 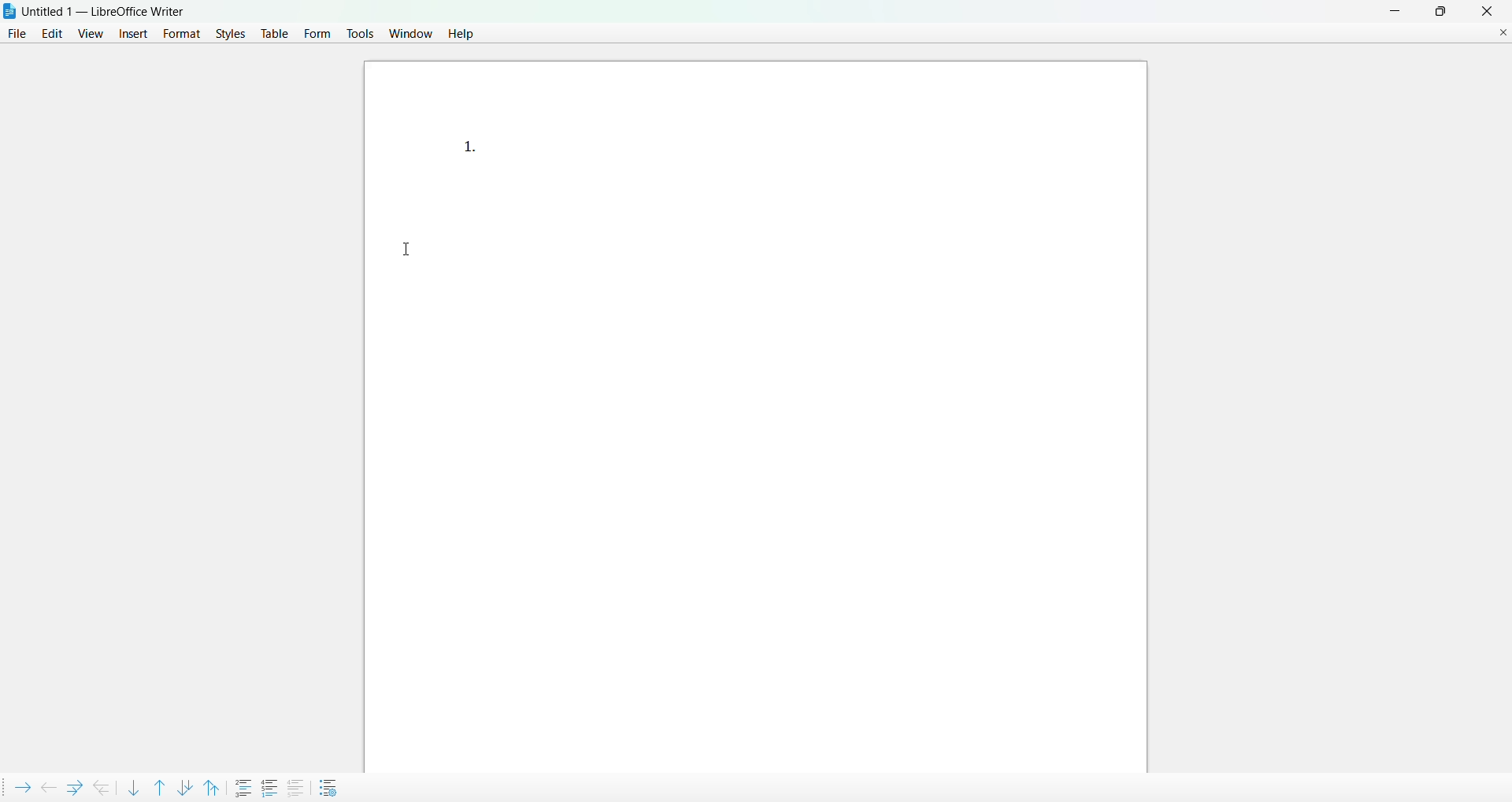 I want to click on file, so click(x=17, y=35).